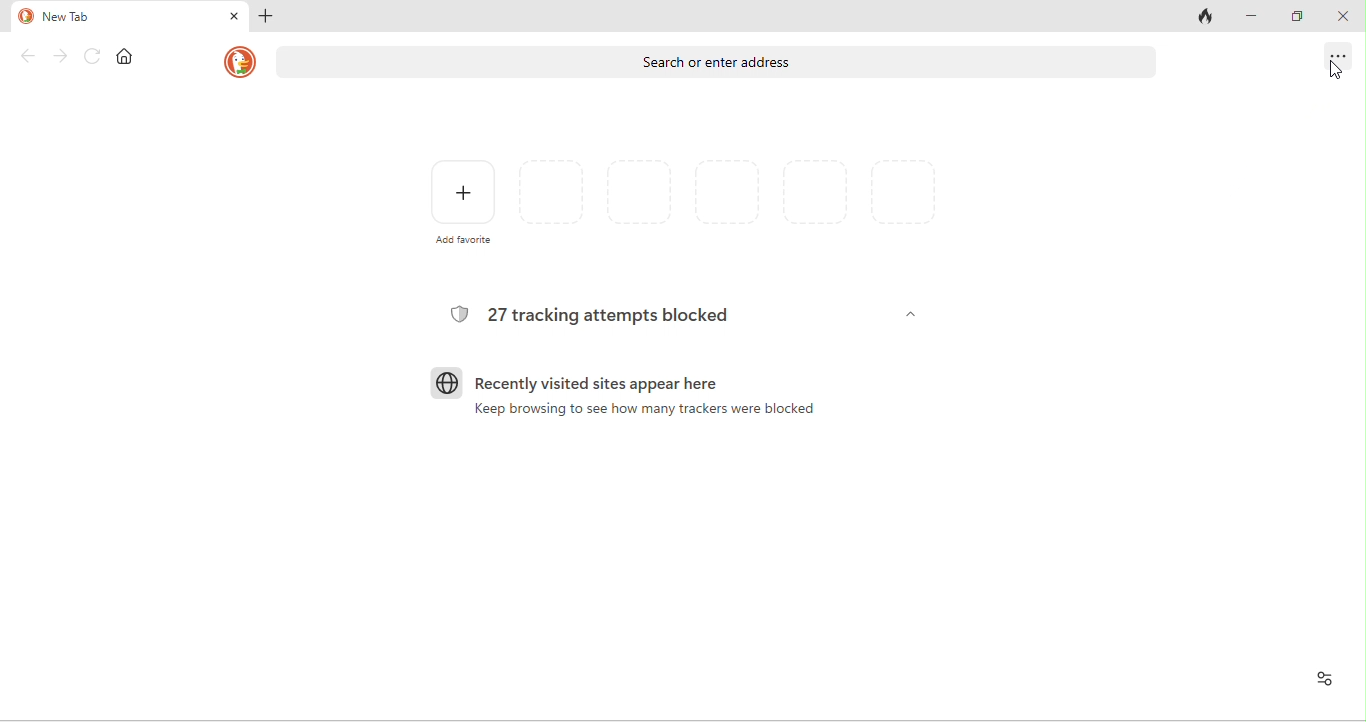 This screenshot has height=722, width=1366. I want to click on reload page, so click(93, 56).